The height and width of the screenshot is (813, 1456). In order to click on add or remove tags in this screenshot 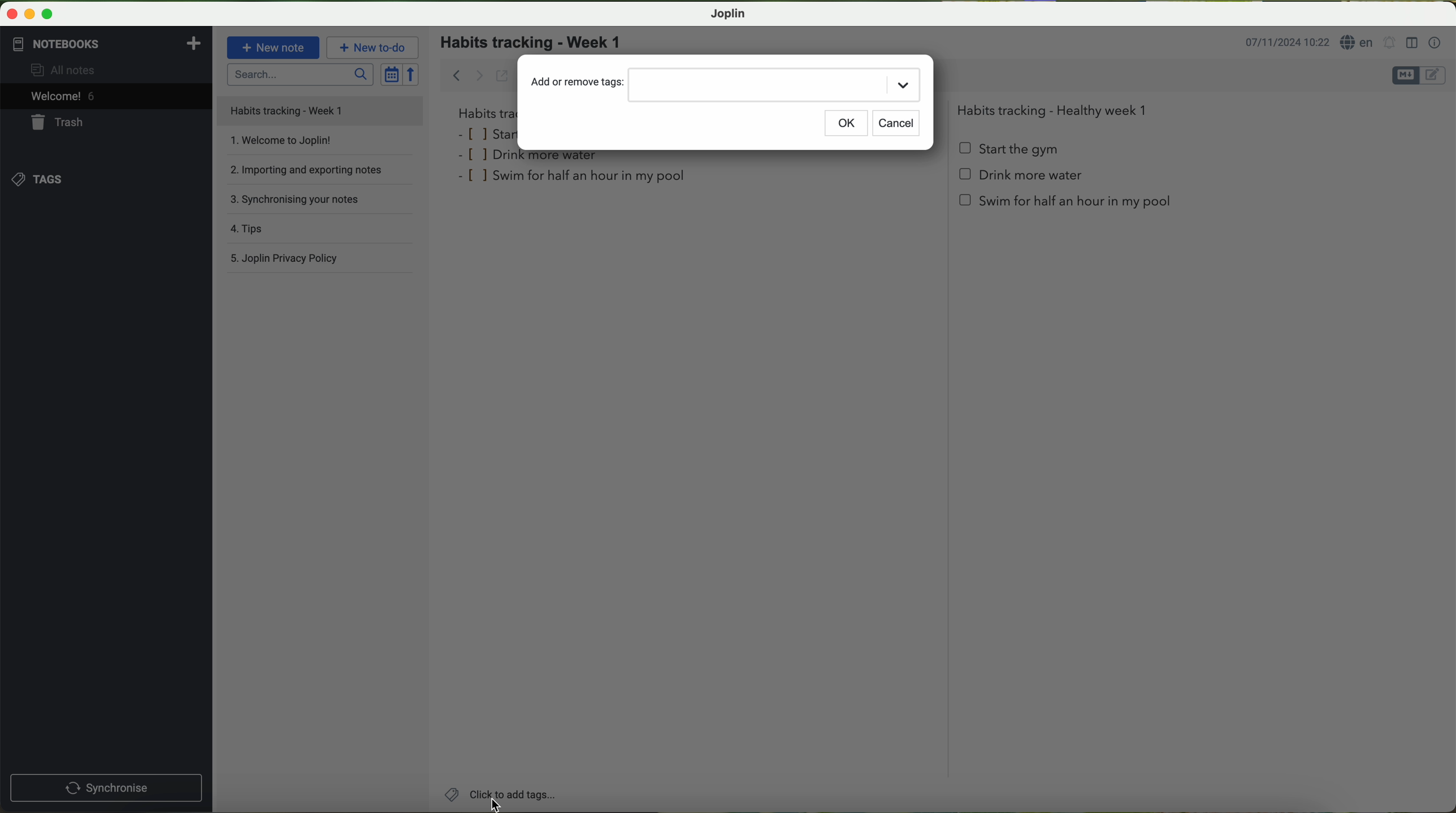, I will do `click(729, 84)`.